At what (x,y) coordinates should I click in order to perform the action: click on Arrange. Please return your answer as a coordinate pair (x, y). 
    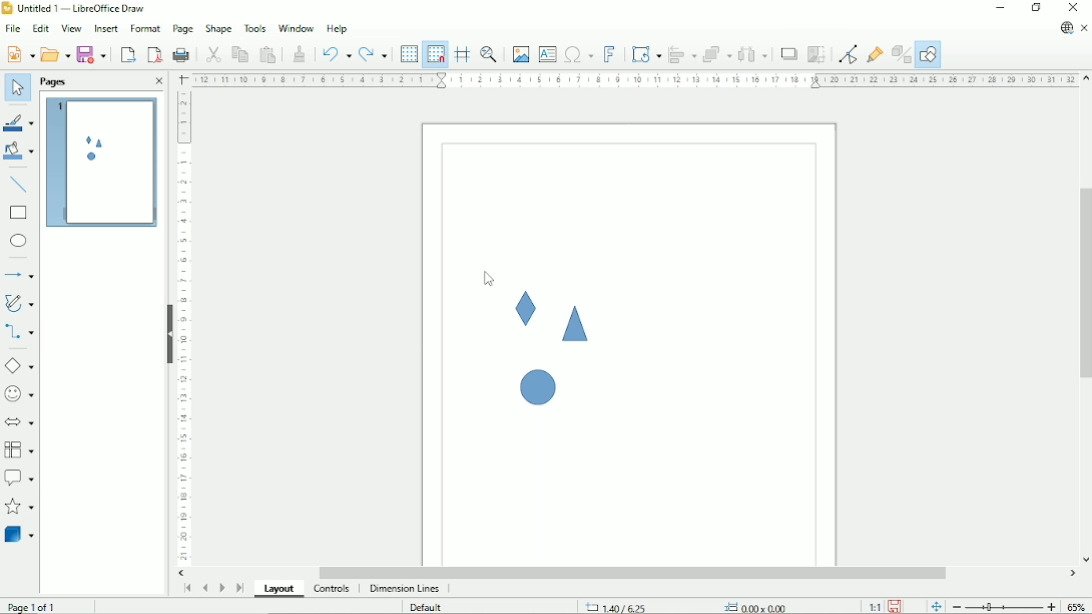
    Looking at the image, I should click on (717, 54).